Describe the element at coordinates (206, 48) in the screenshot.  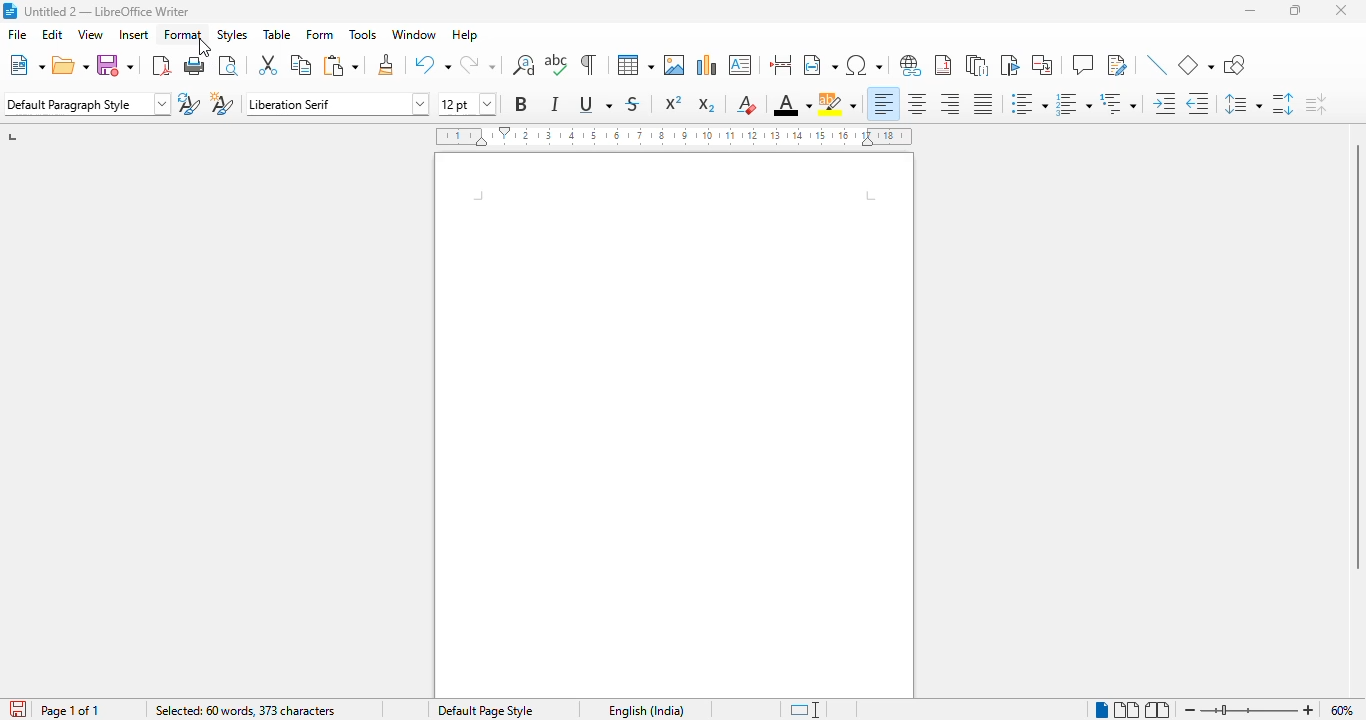
I see `cursor` at that location.